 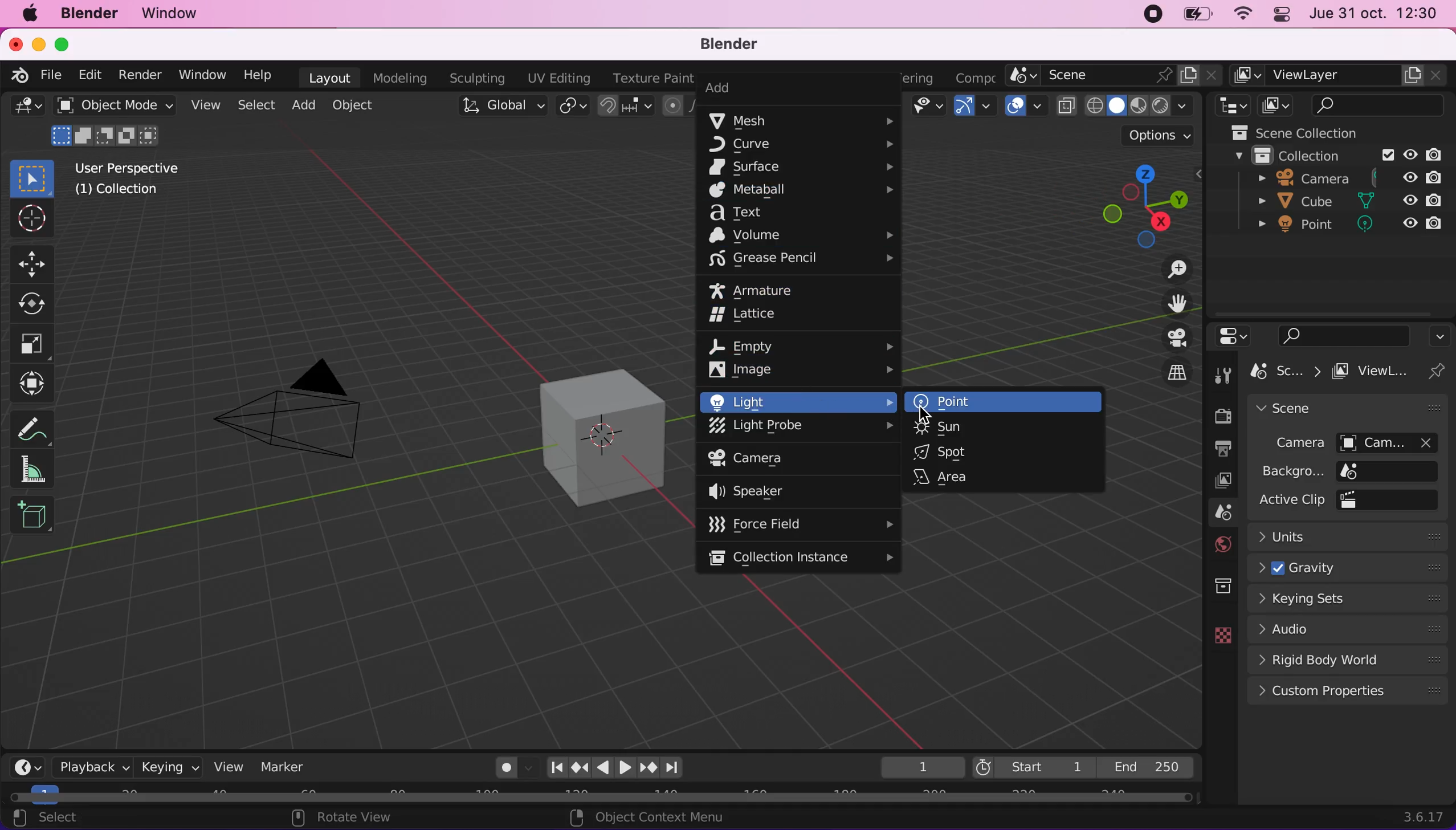 I want to click on camera, so click(x=309, y=399).